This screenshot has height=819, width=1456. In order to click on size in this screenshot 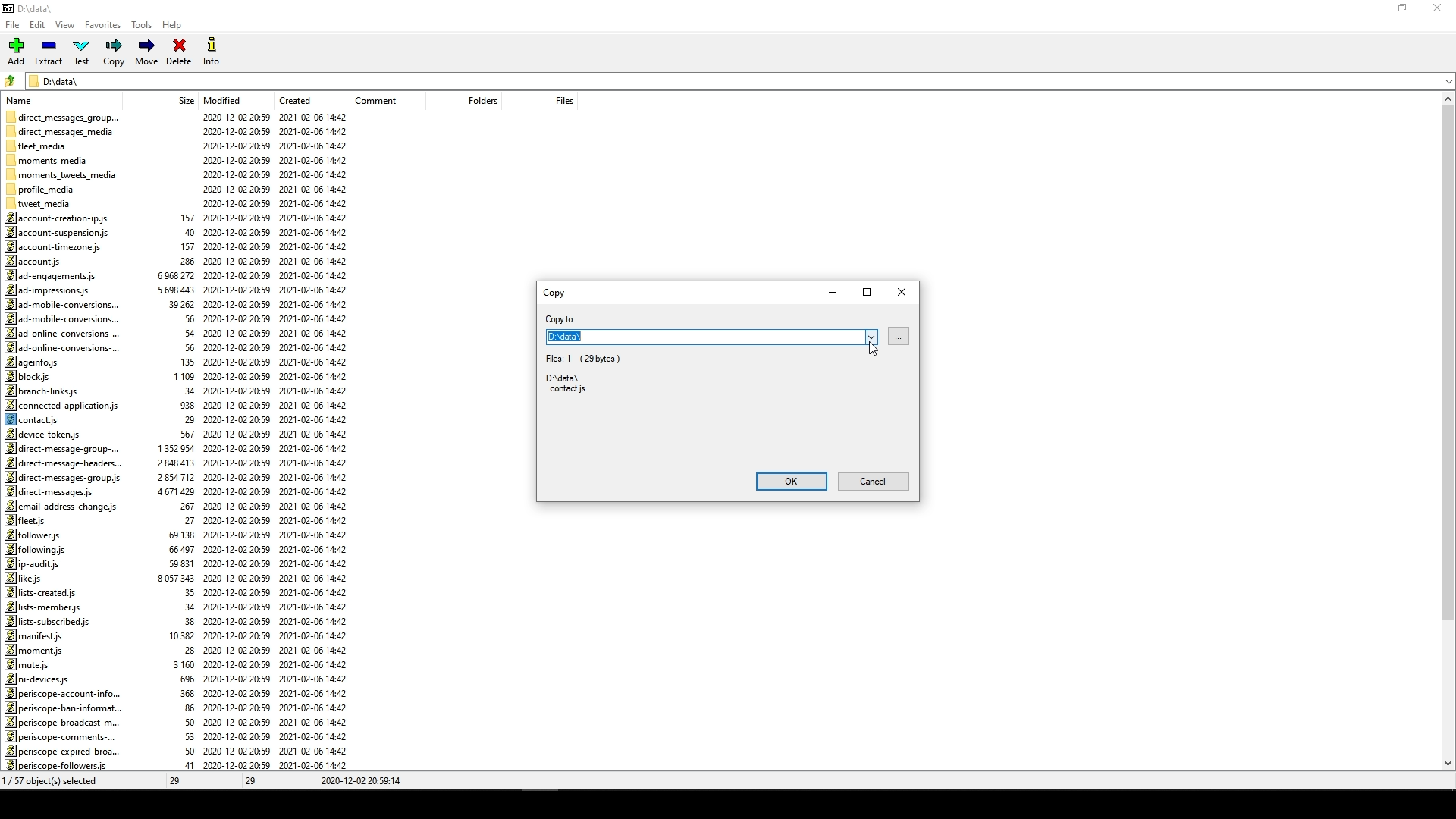, I will do `click(181, 101)`.